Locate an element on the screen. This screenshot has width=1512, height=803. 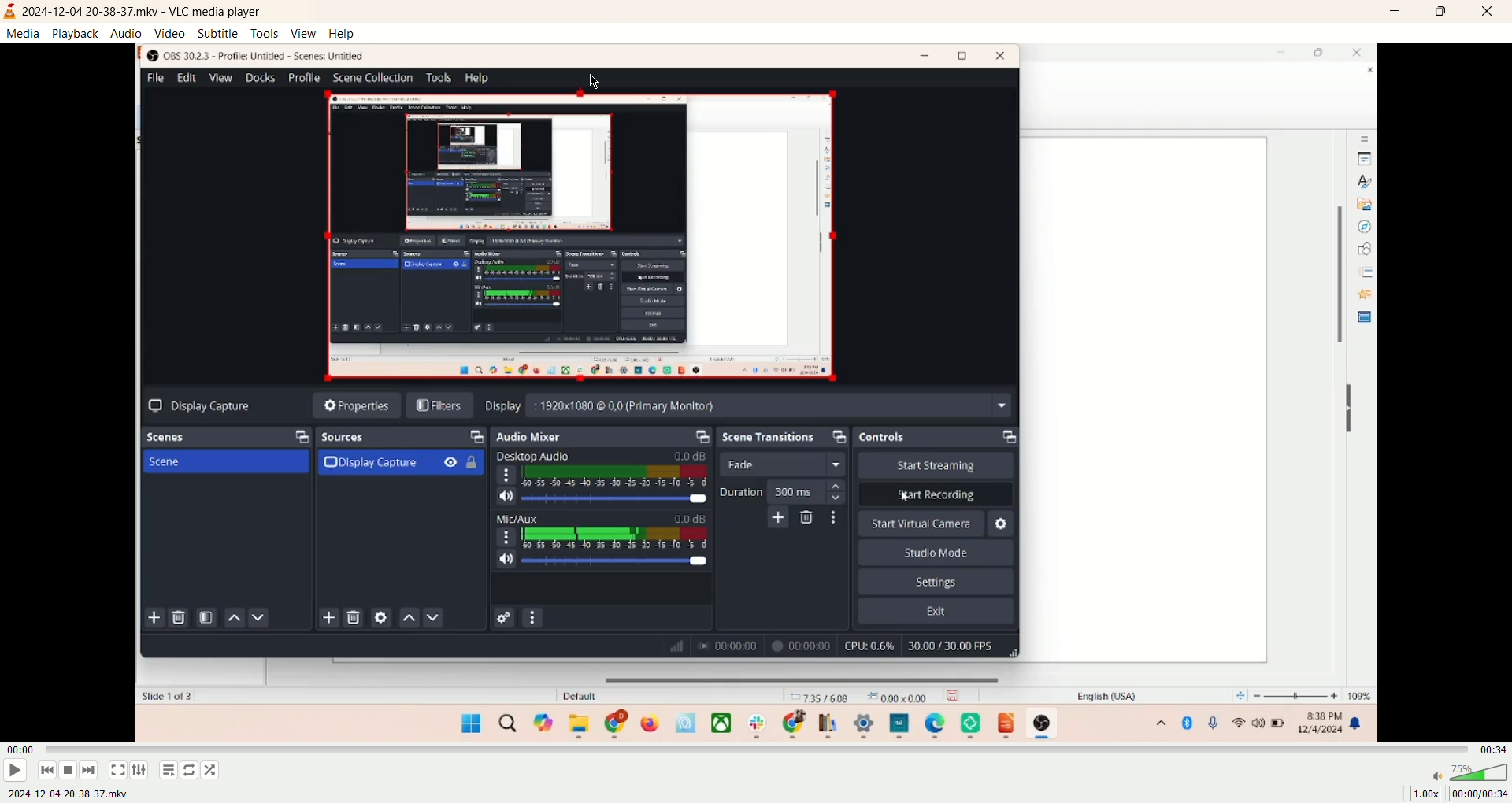
played time is located at coordinates (20, 749).